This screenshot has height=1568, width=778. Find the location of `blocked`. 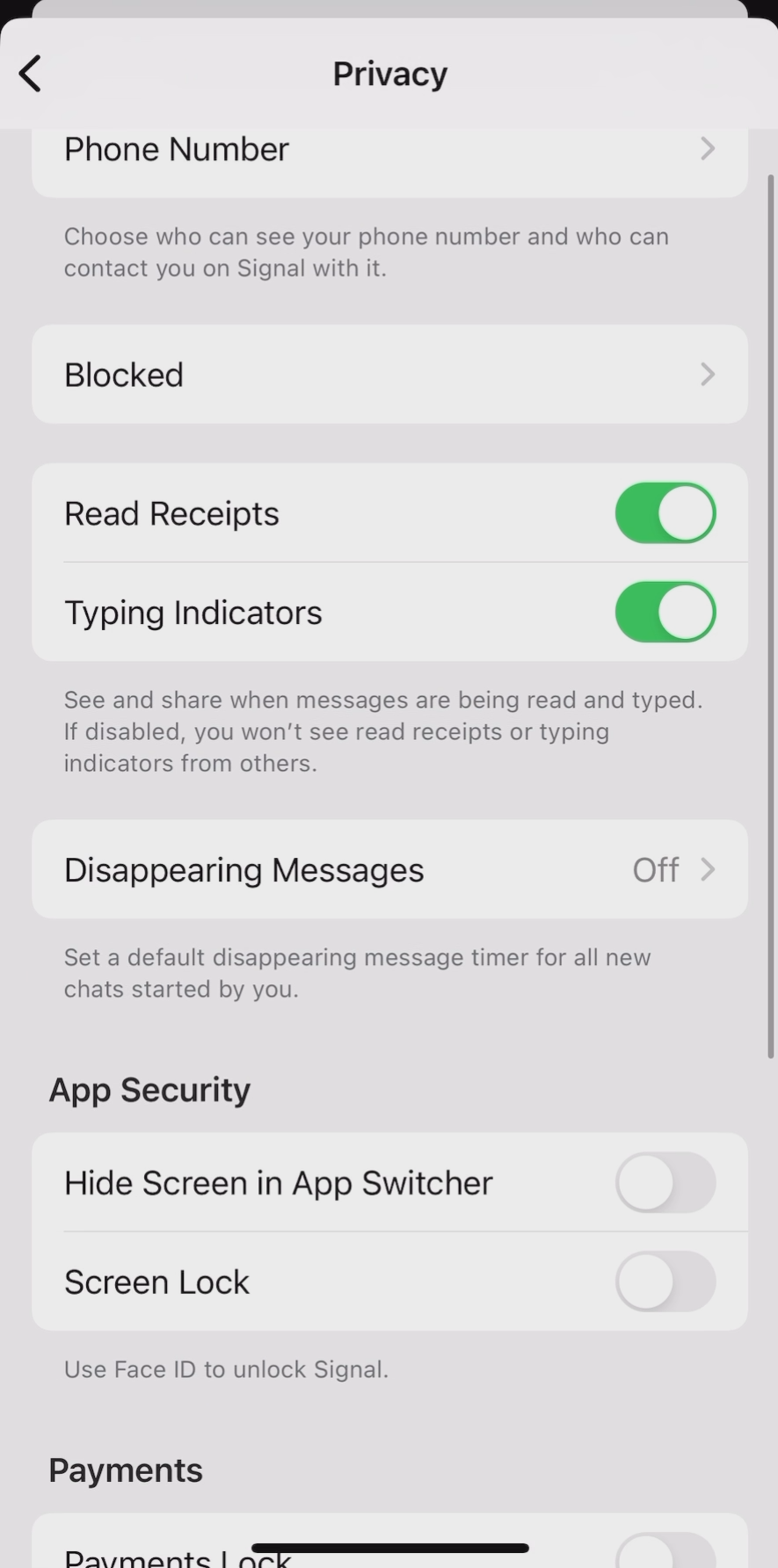

blocked is located at coordinates (393, 375).